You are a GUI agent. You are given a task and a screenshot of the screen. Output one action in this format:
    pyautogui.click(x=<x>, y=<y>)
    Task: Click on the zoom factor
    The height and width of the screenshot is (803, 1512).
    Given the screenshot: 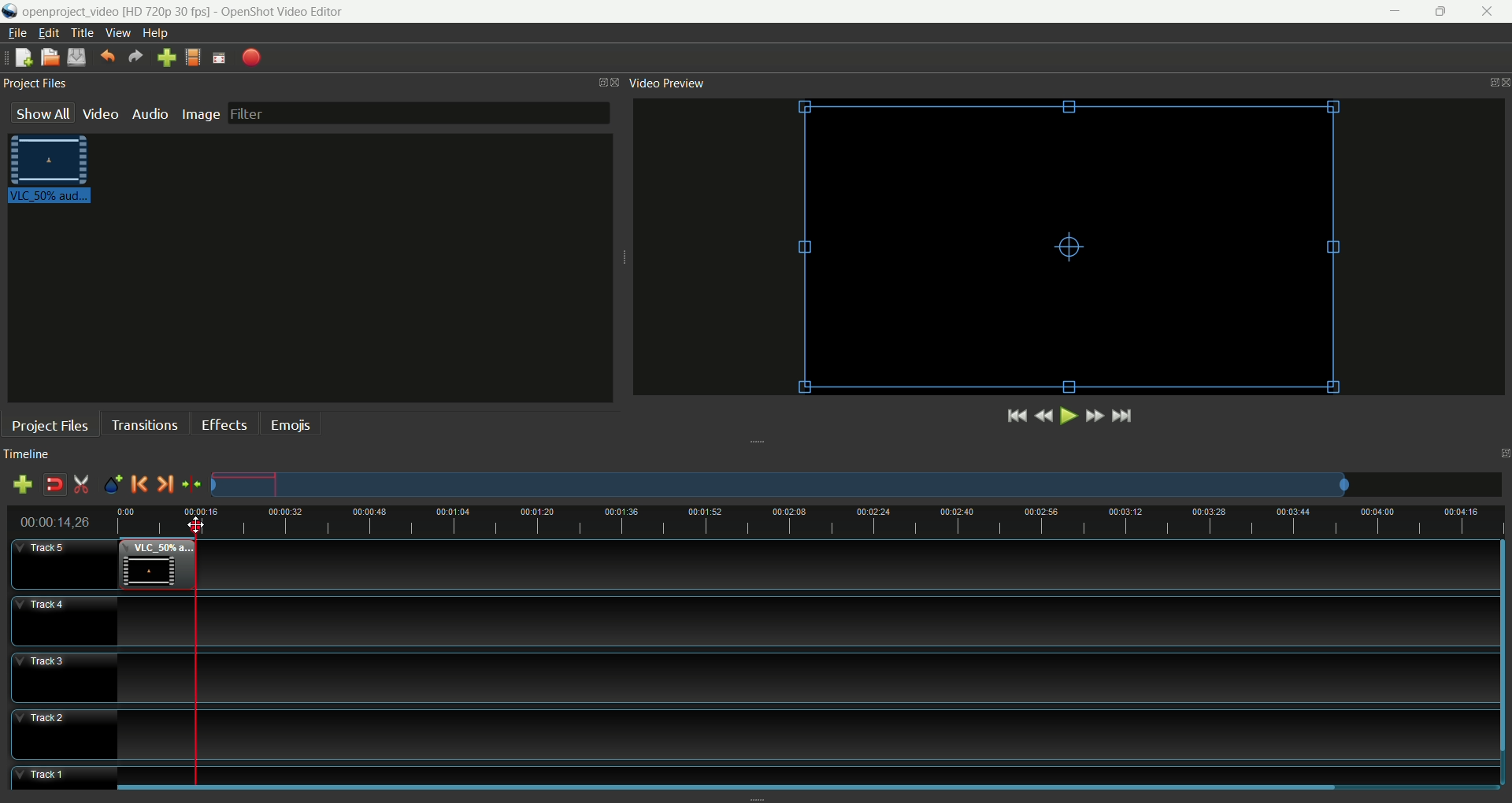 What is the action you would take?
    pyautogui.click(x=847, y=523)
    